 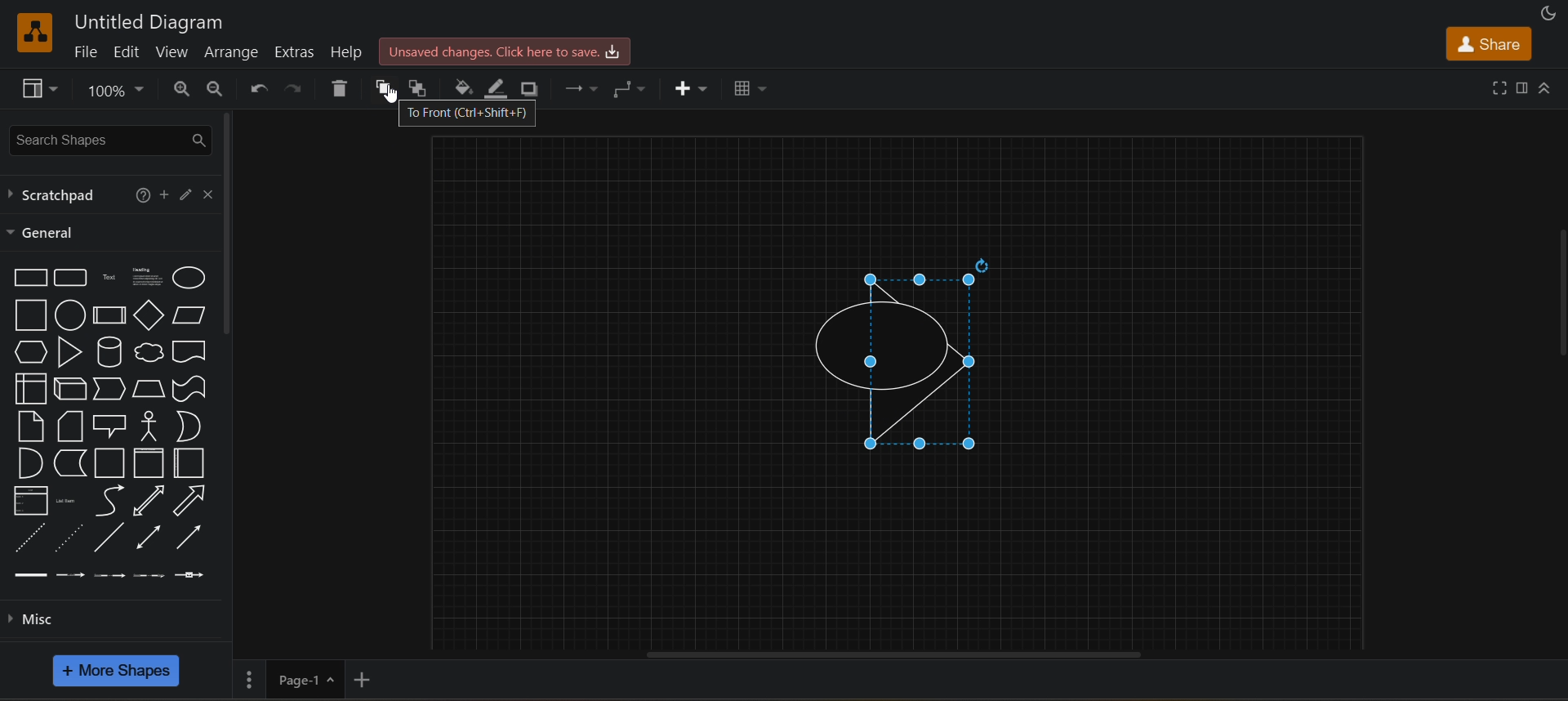 What do you see at coordinates (69, 537) in the screenshot?
I see `dotted line` at bounding box center [69, 537].